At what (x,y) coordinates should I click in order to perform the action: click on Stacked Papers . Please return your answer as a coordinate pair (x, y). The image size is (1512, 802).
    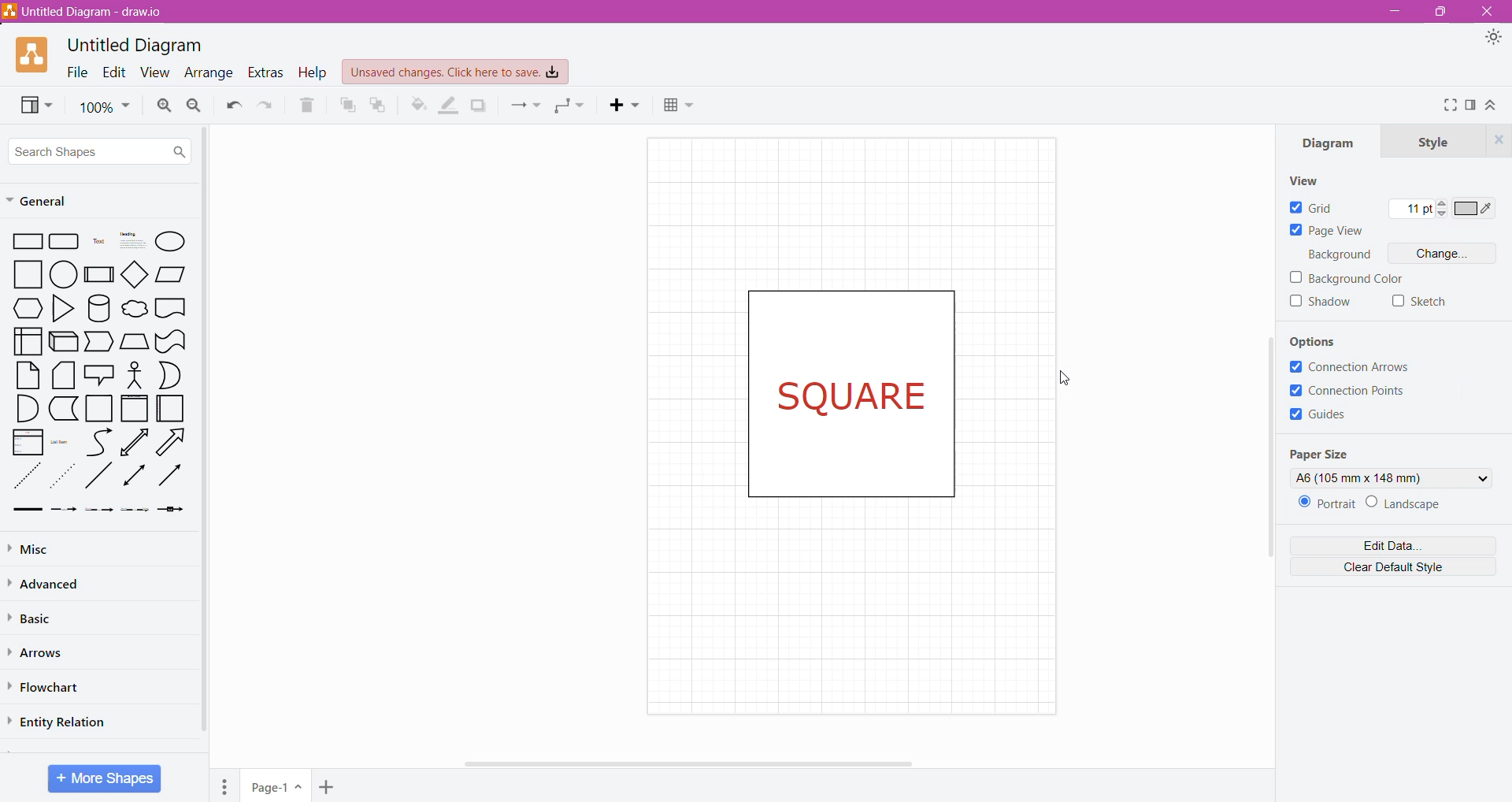
    Looking at the image, I should click on (62, 375).